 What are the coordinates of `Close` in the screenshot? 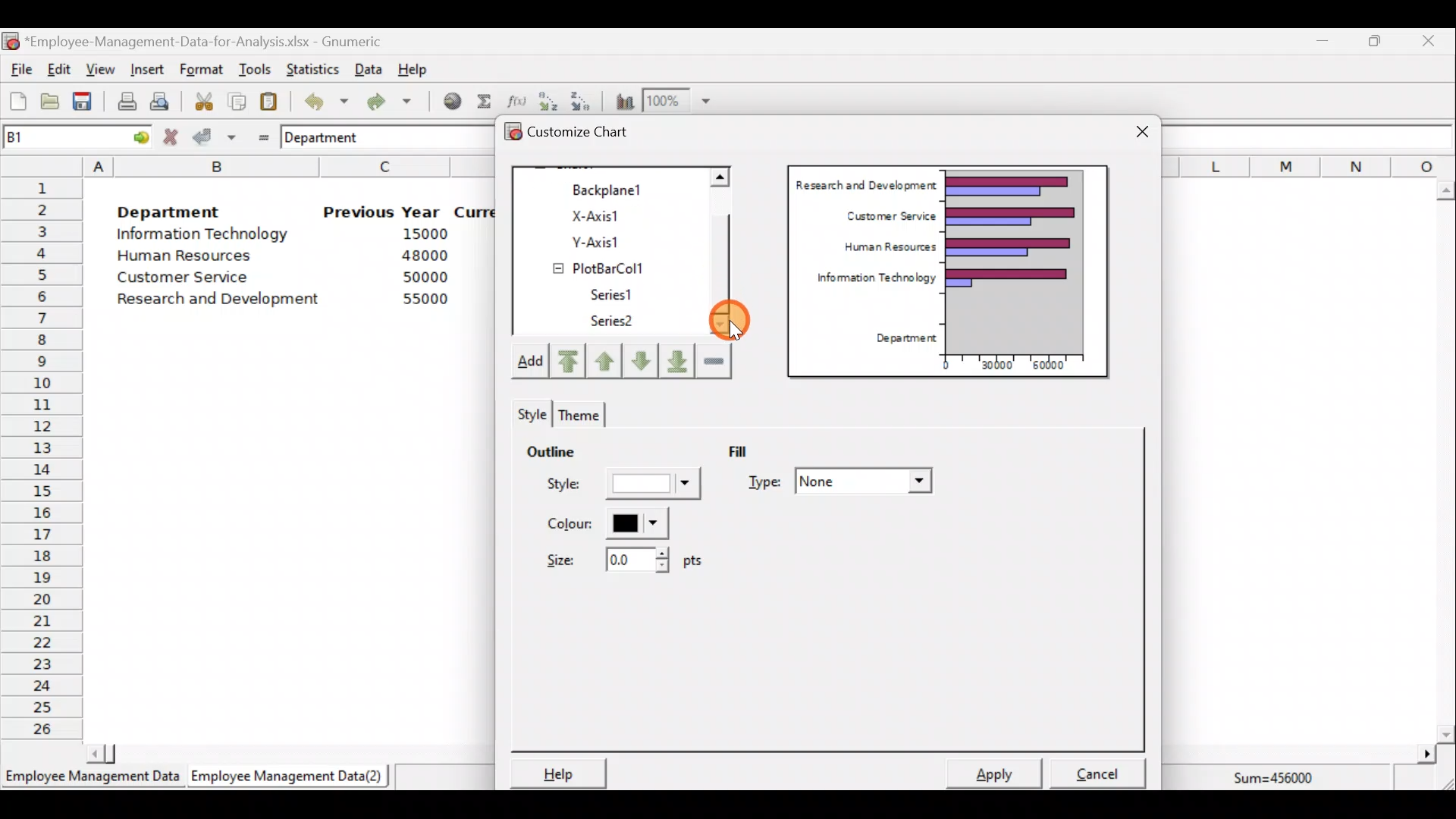 It's located at (1142, 133).